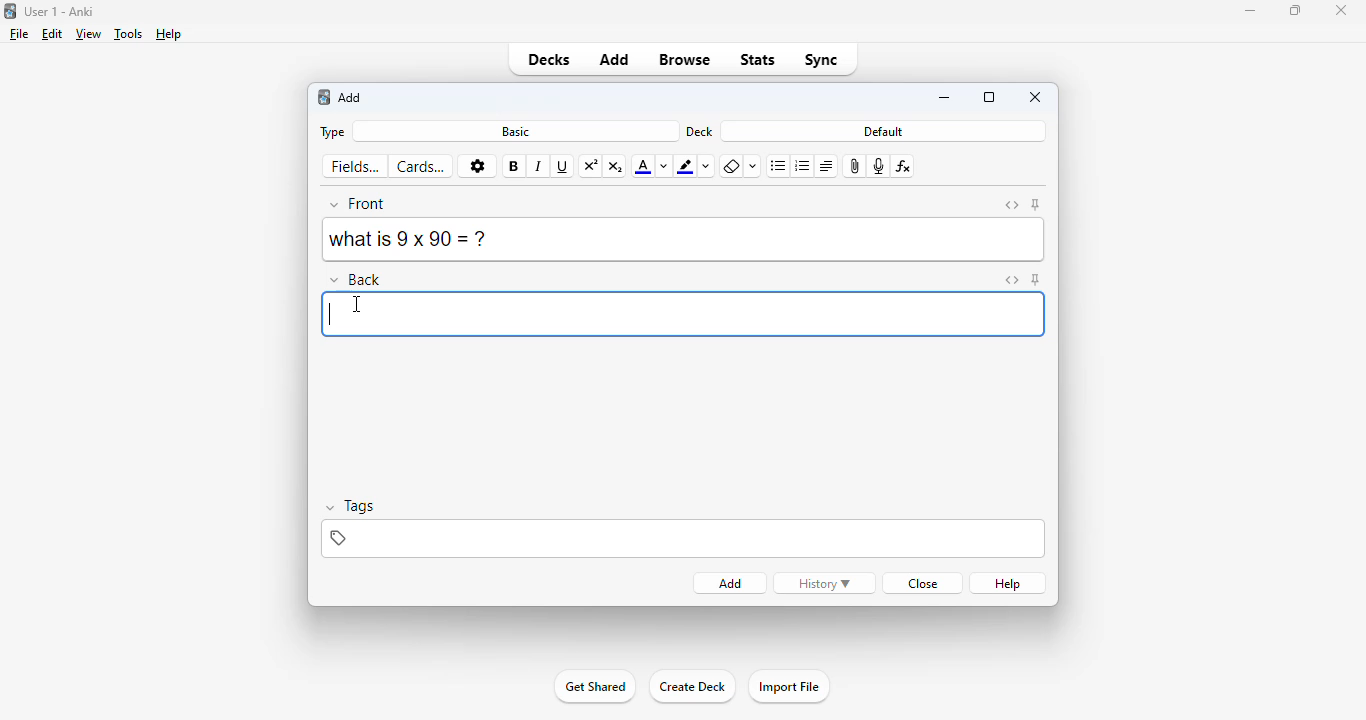 The width and height of the screenshot is (1366, 720). I want to click on text color, so click(644, 167).